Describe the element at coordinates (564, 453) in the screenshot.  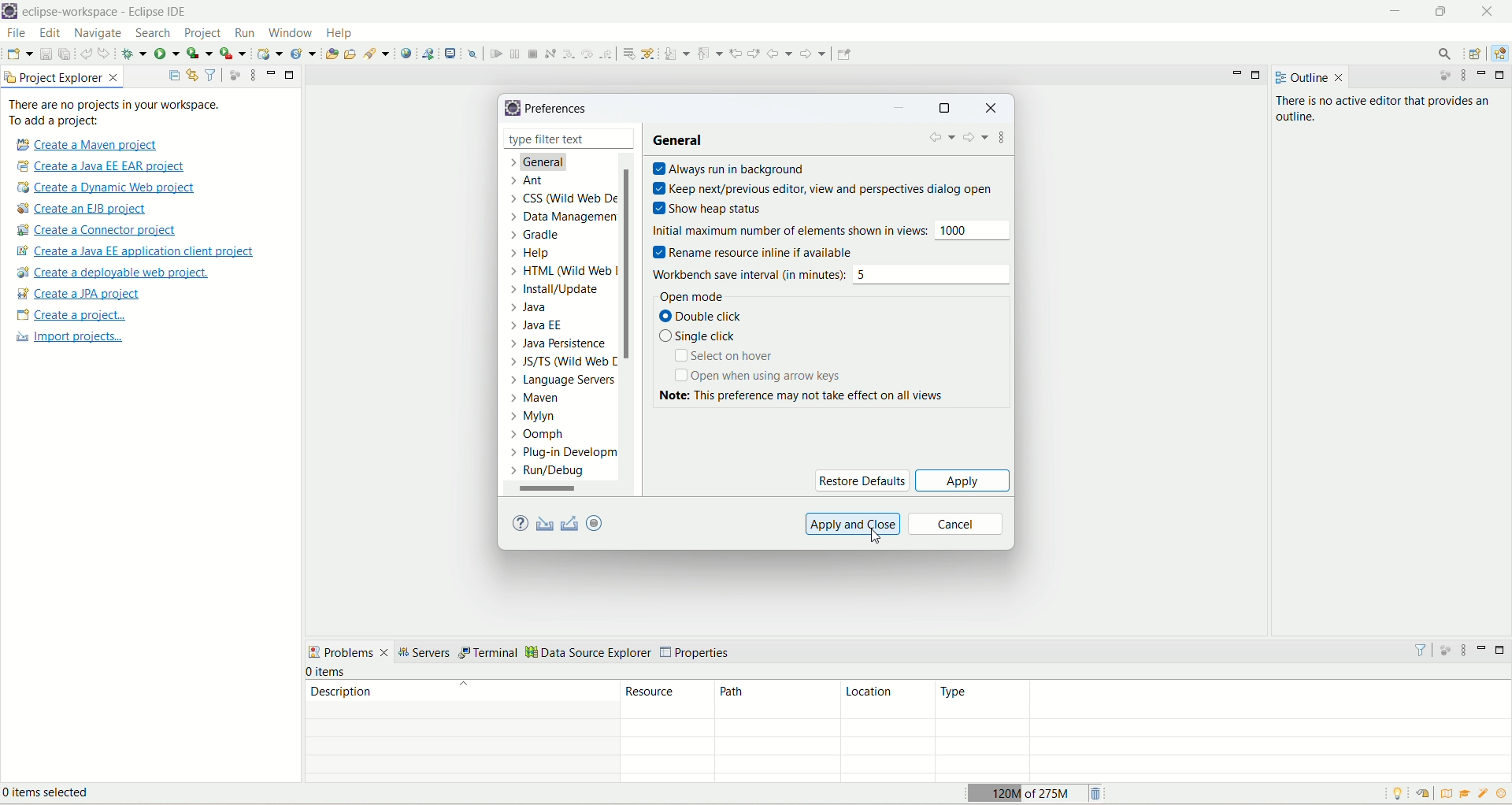
I see `plug-in development` at that location.